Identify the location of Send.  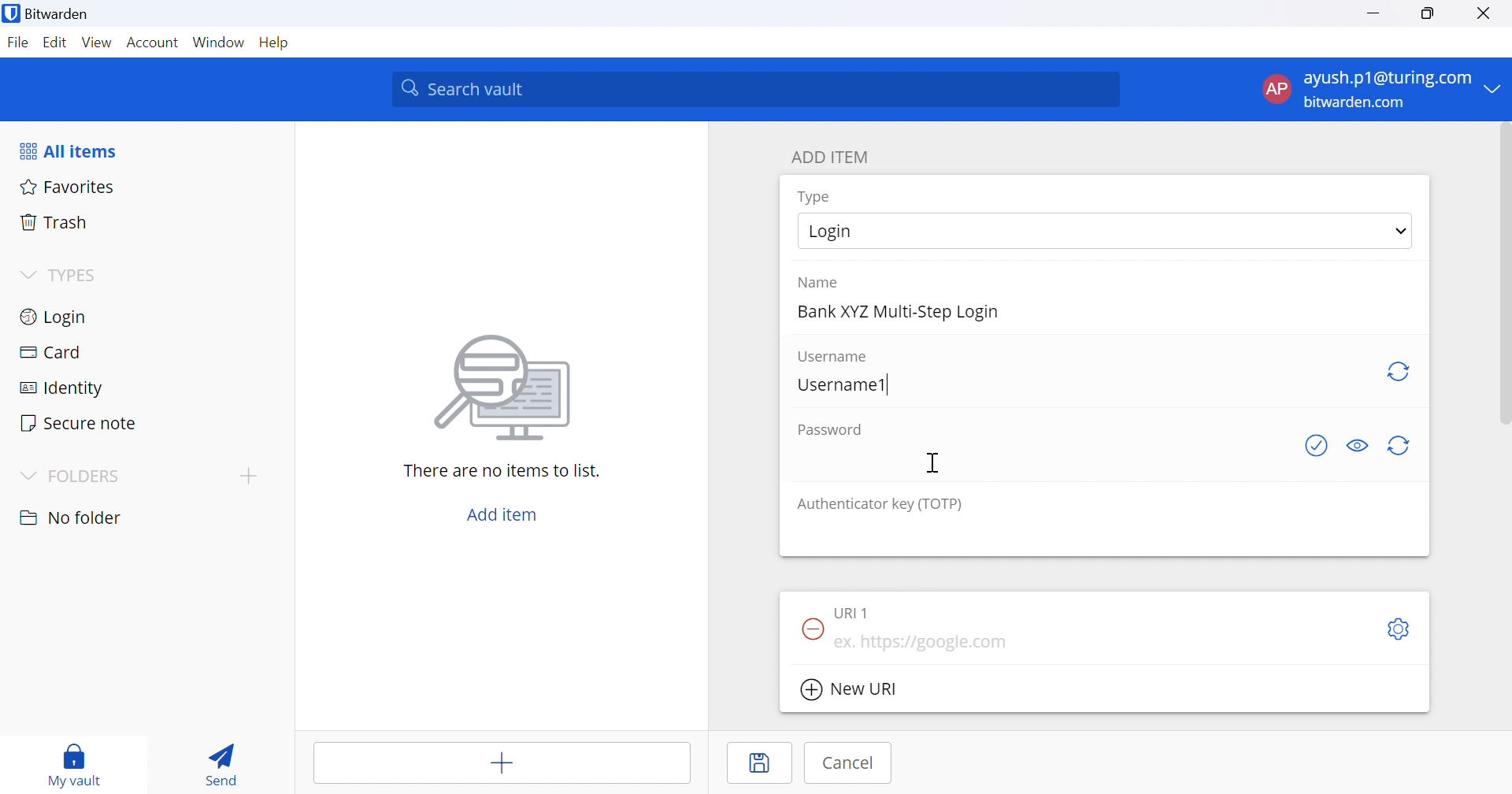
(224, 760).